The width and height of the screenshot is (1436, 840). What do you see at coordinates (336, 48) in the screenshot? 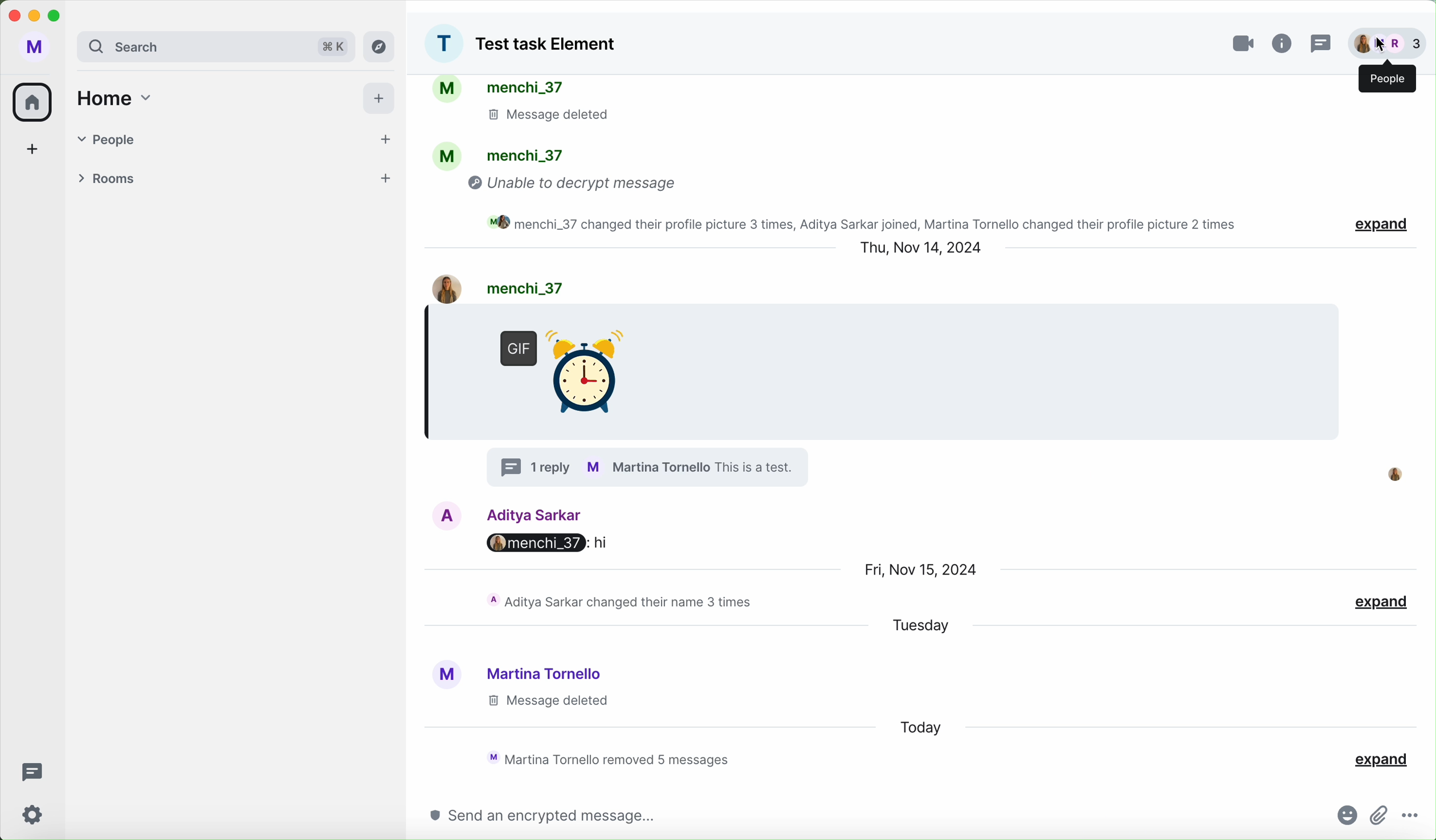
I see `shortcut` at bounding box center [336, 48].